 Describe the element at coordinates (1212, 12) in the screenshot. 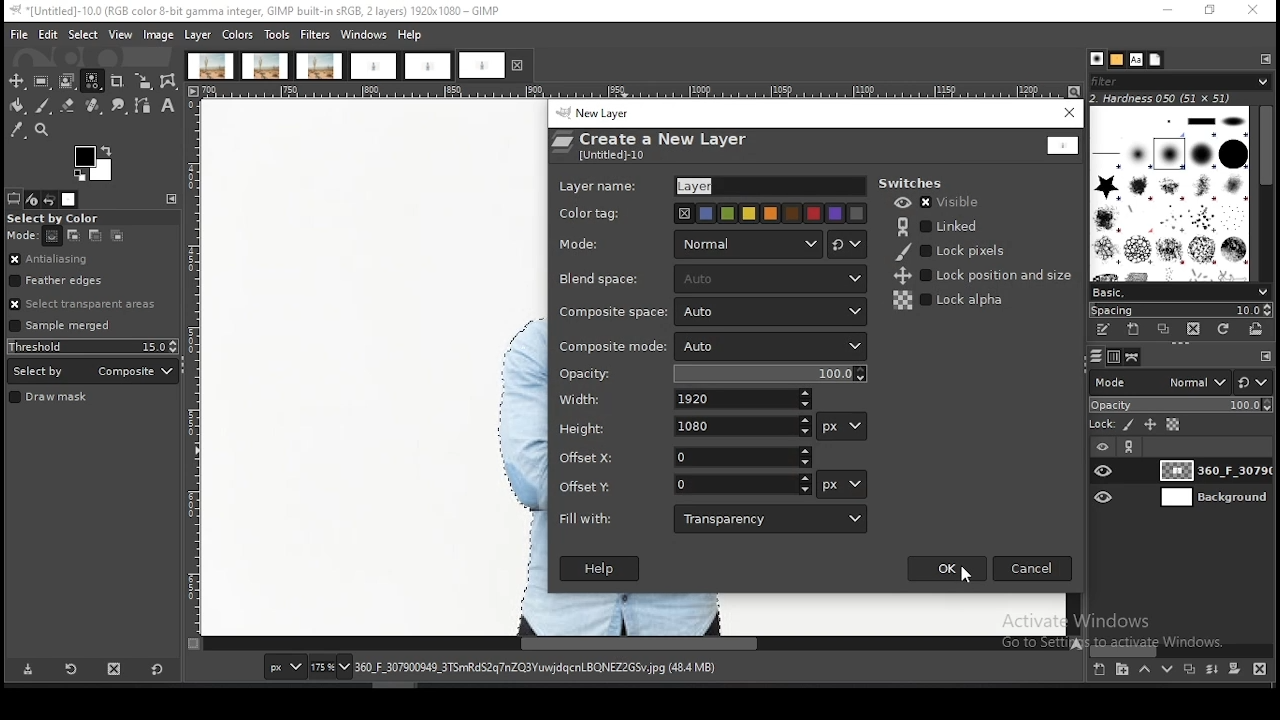

I see `restore` at that location.